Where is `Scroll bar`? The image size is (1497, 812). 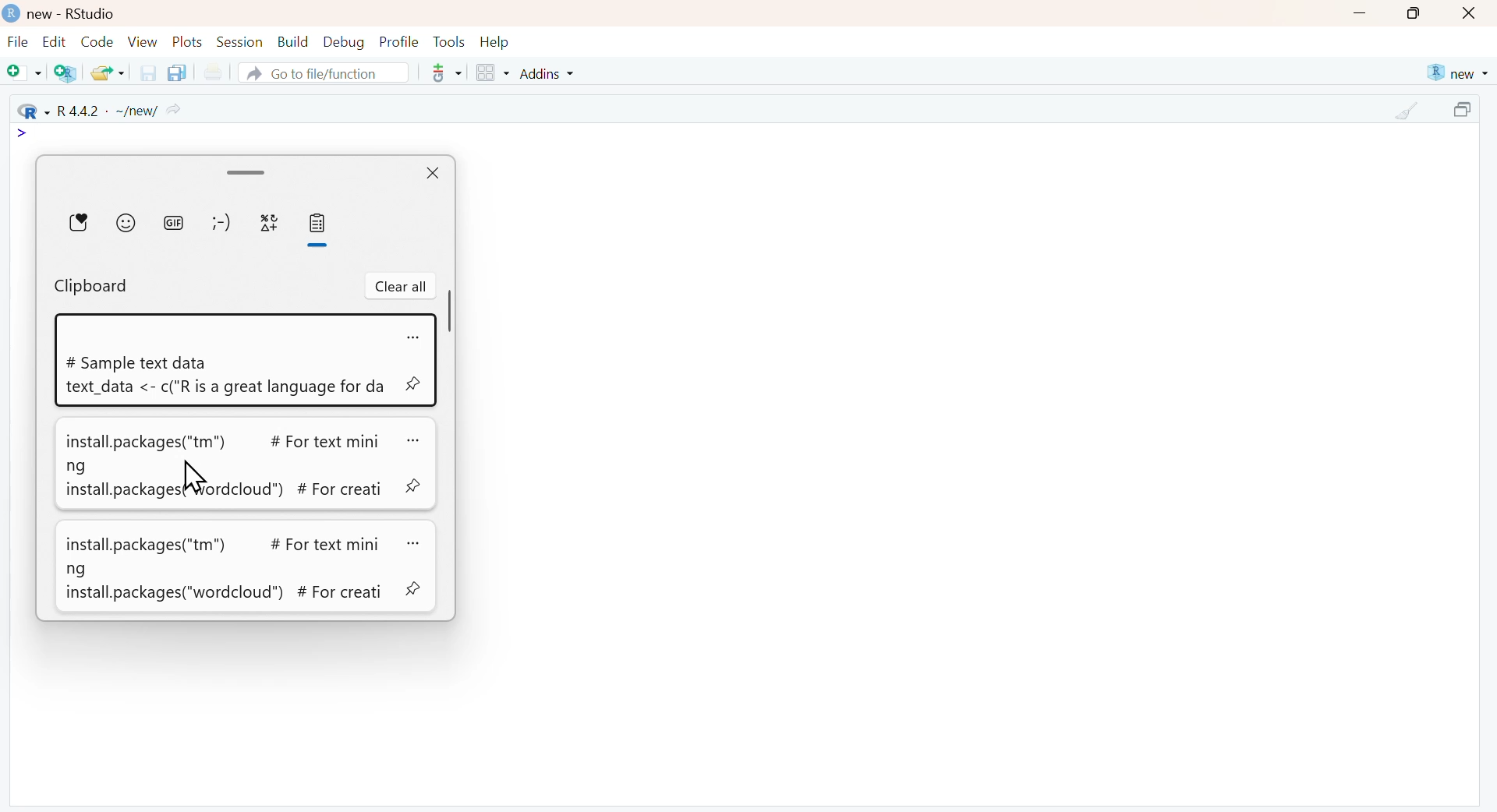 Scroll bar is located at coordinates (246, 172).